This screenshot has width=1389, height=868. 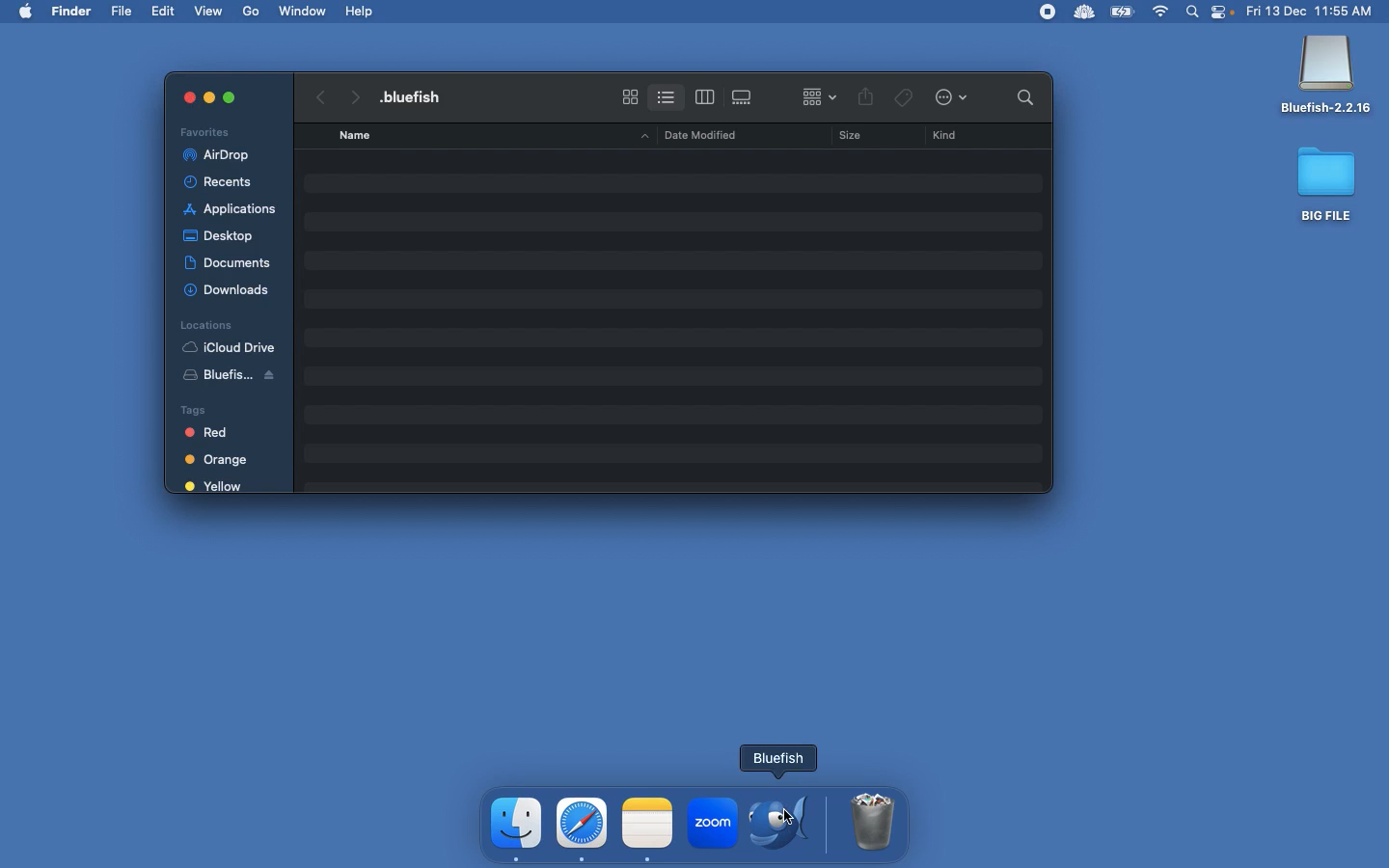 I want to click on , so click(x=230, y=96).